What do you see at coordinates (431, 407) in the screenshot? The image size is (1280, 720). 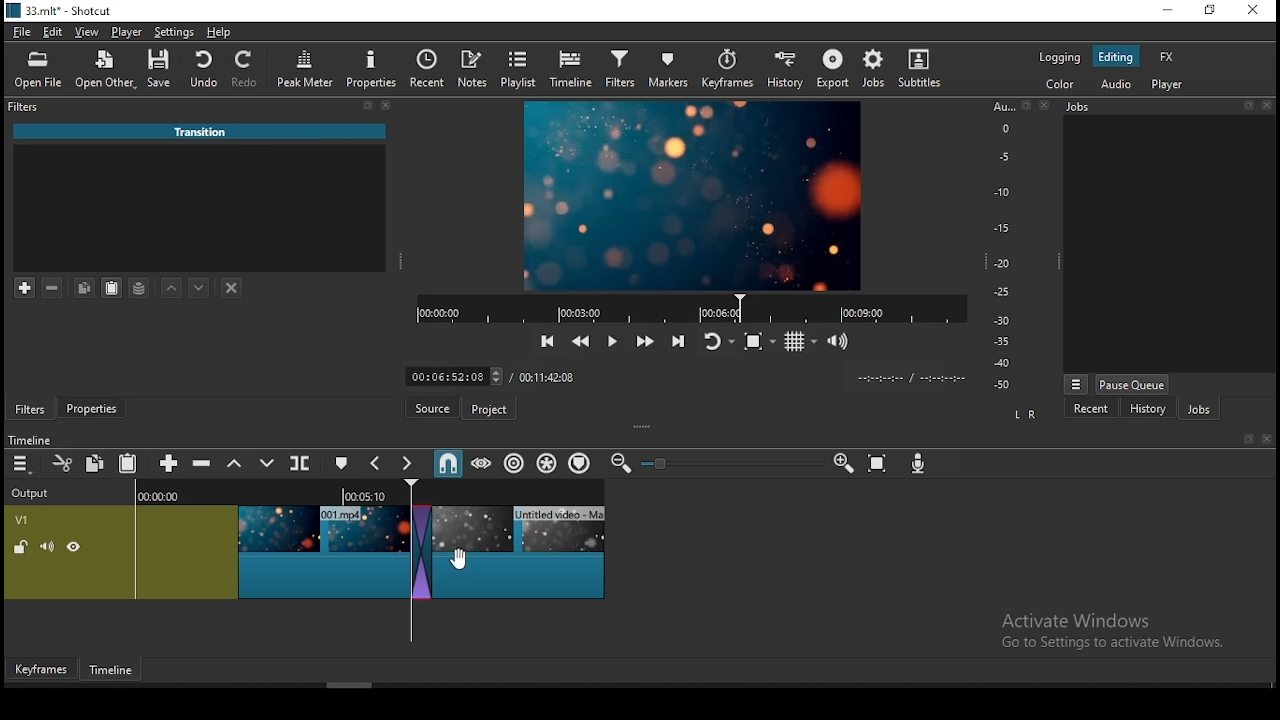 I see `source` at bounding box center [431, 407].